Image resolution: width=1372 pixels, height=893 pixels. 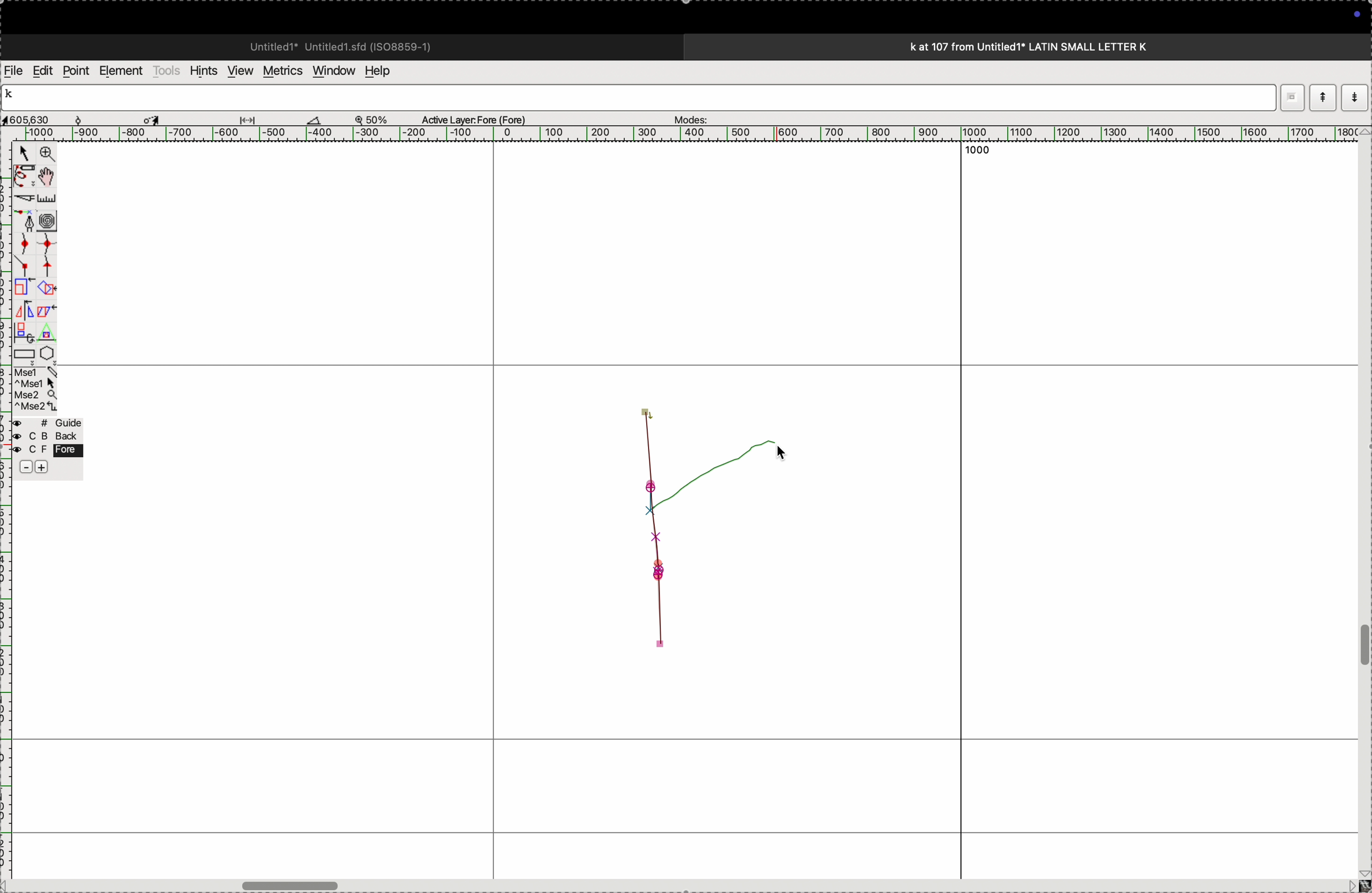 What do you see at coordinates (24, 320) in the screenshot?
I see `mirror` at bounding box center [24, 320].